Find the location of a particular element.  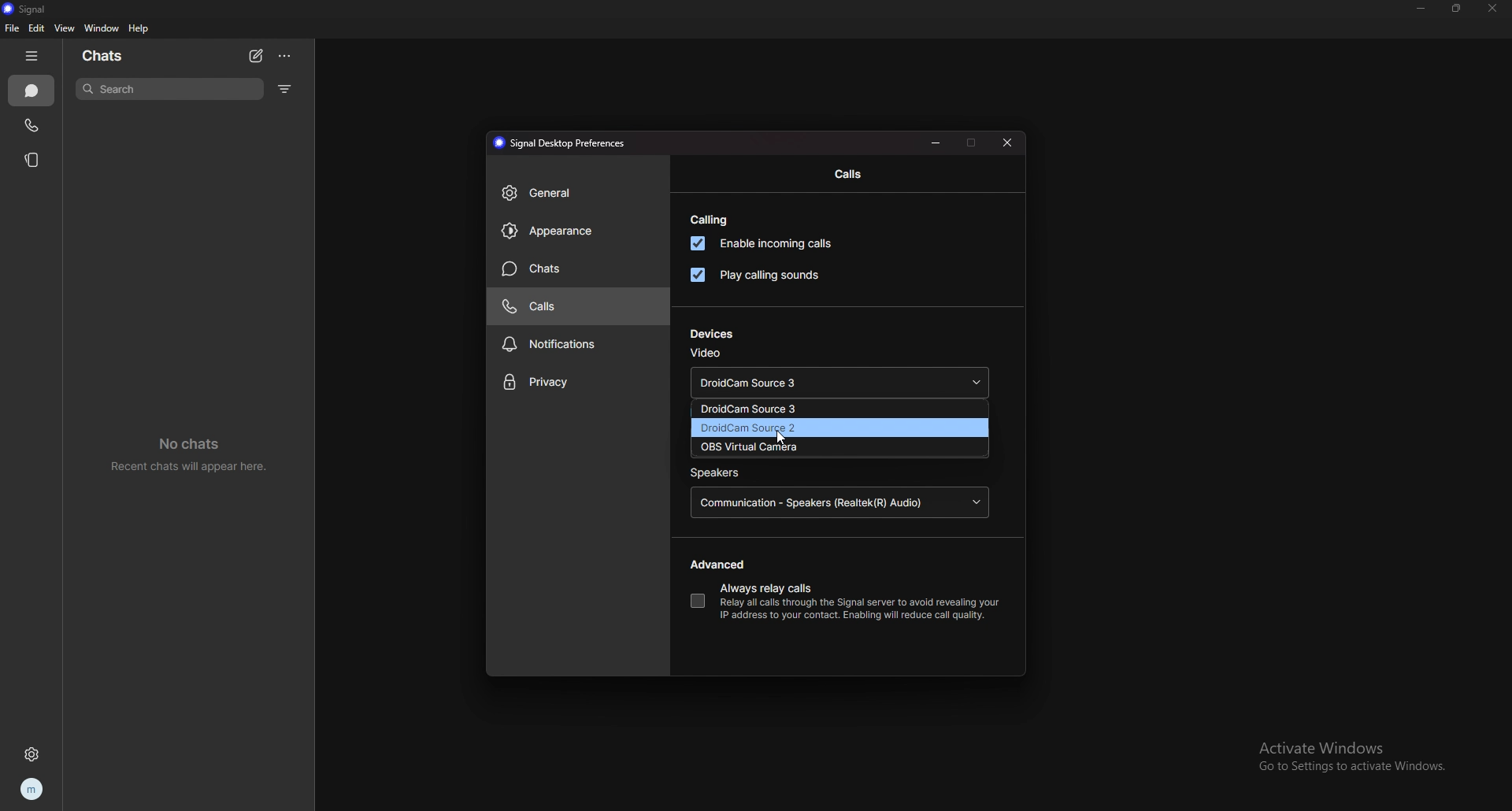

close is located at coordinates (1010, 141).